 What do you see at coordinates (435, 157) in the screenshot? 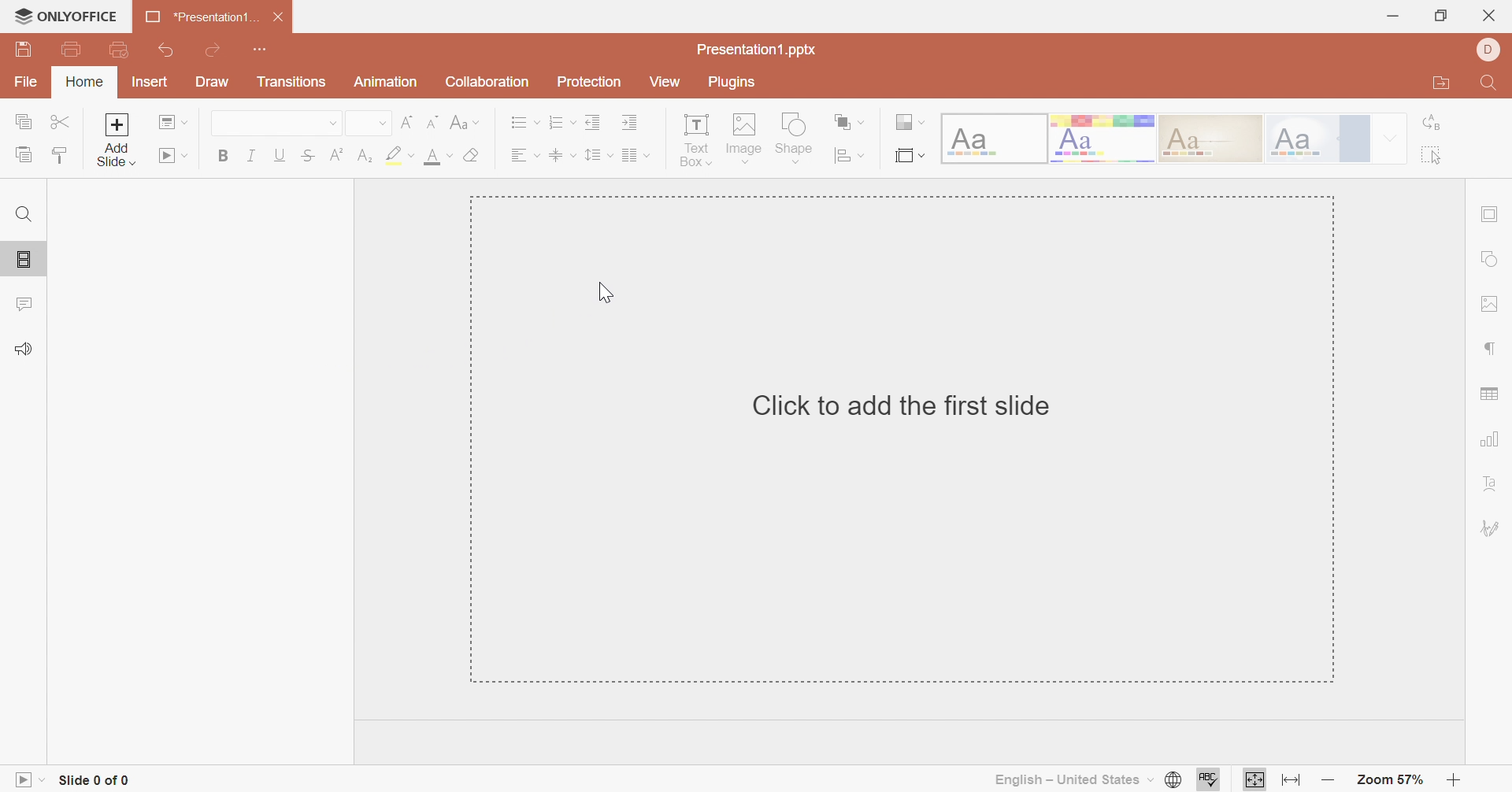
I see `Font color` at bounding box center [435, 157].